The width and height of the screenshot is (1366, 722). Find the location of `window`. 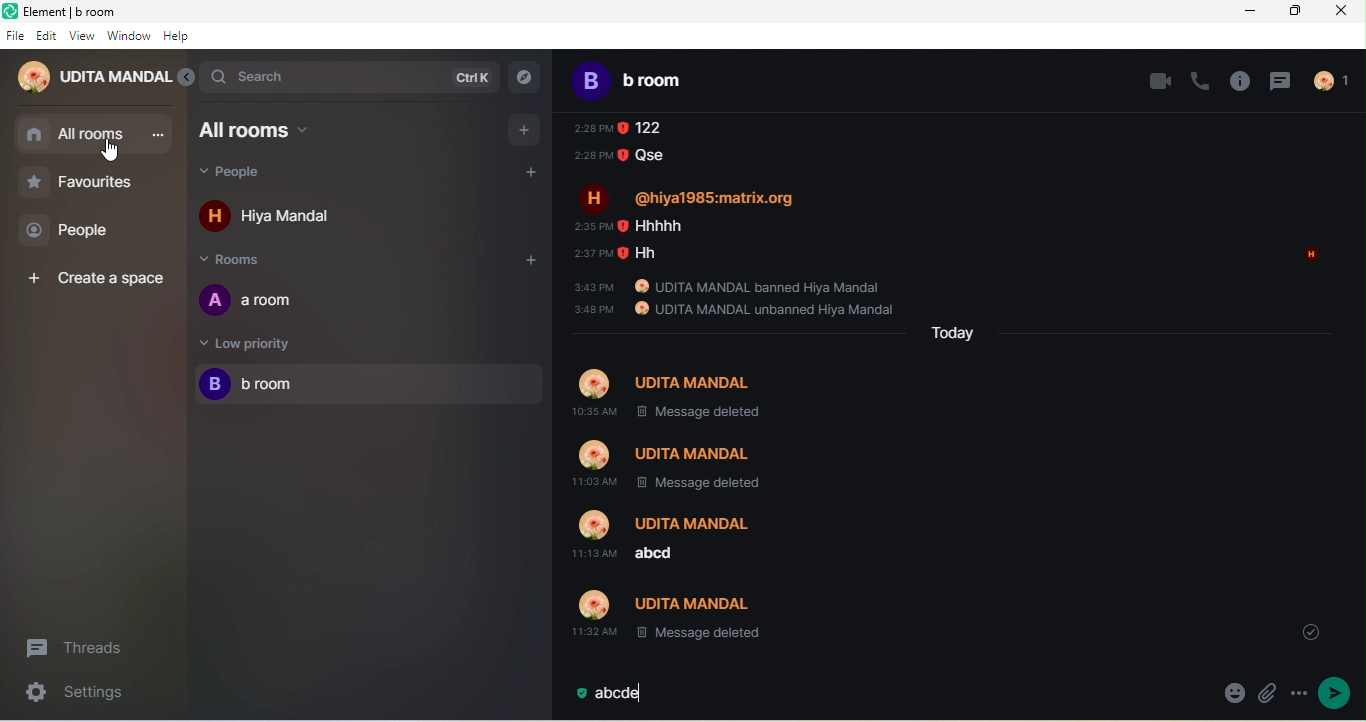

window is located at coordinates (129, 37).